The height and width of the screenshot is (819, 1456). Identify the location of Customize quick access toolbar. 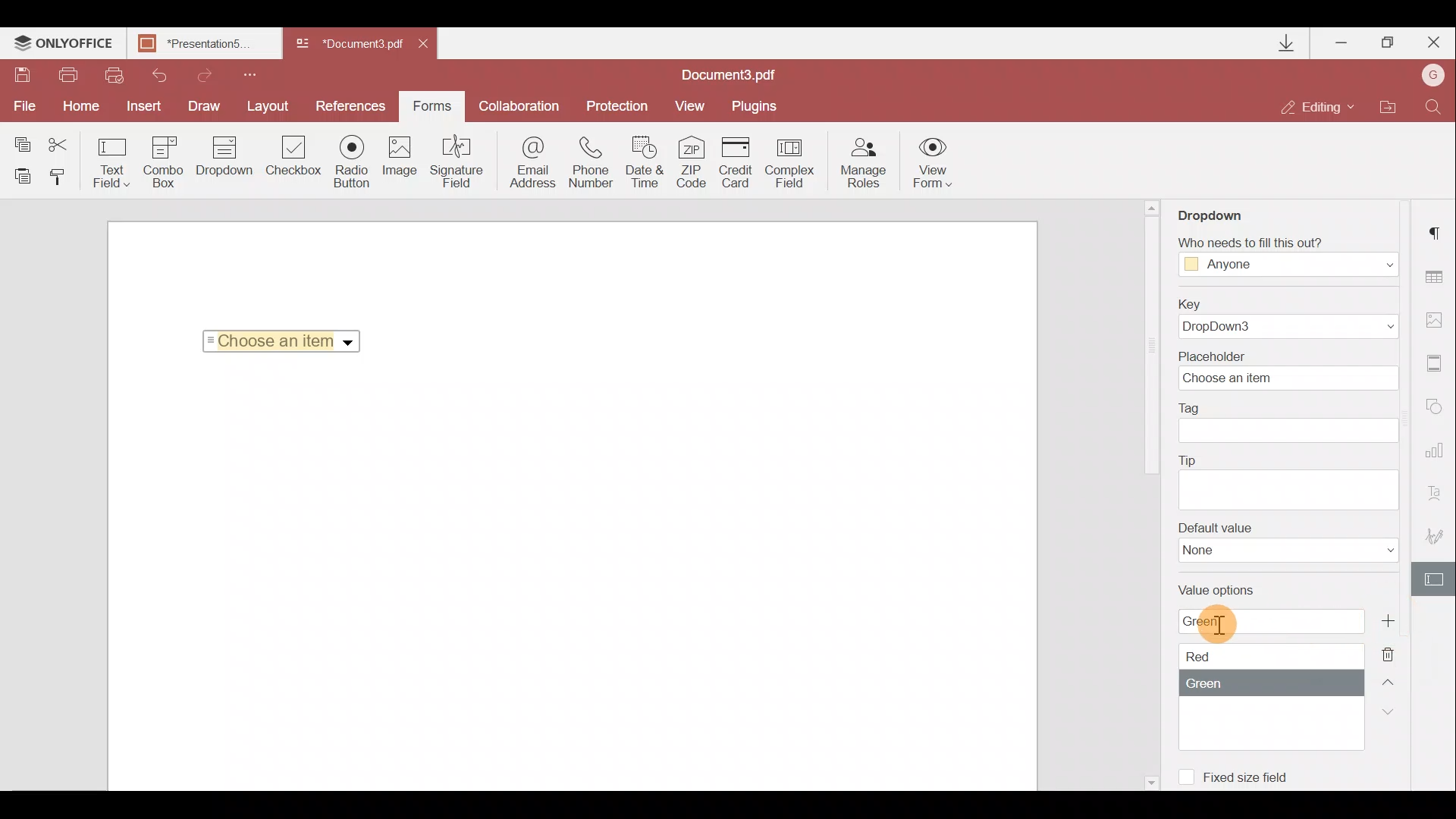
(256, 74).